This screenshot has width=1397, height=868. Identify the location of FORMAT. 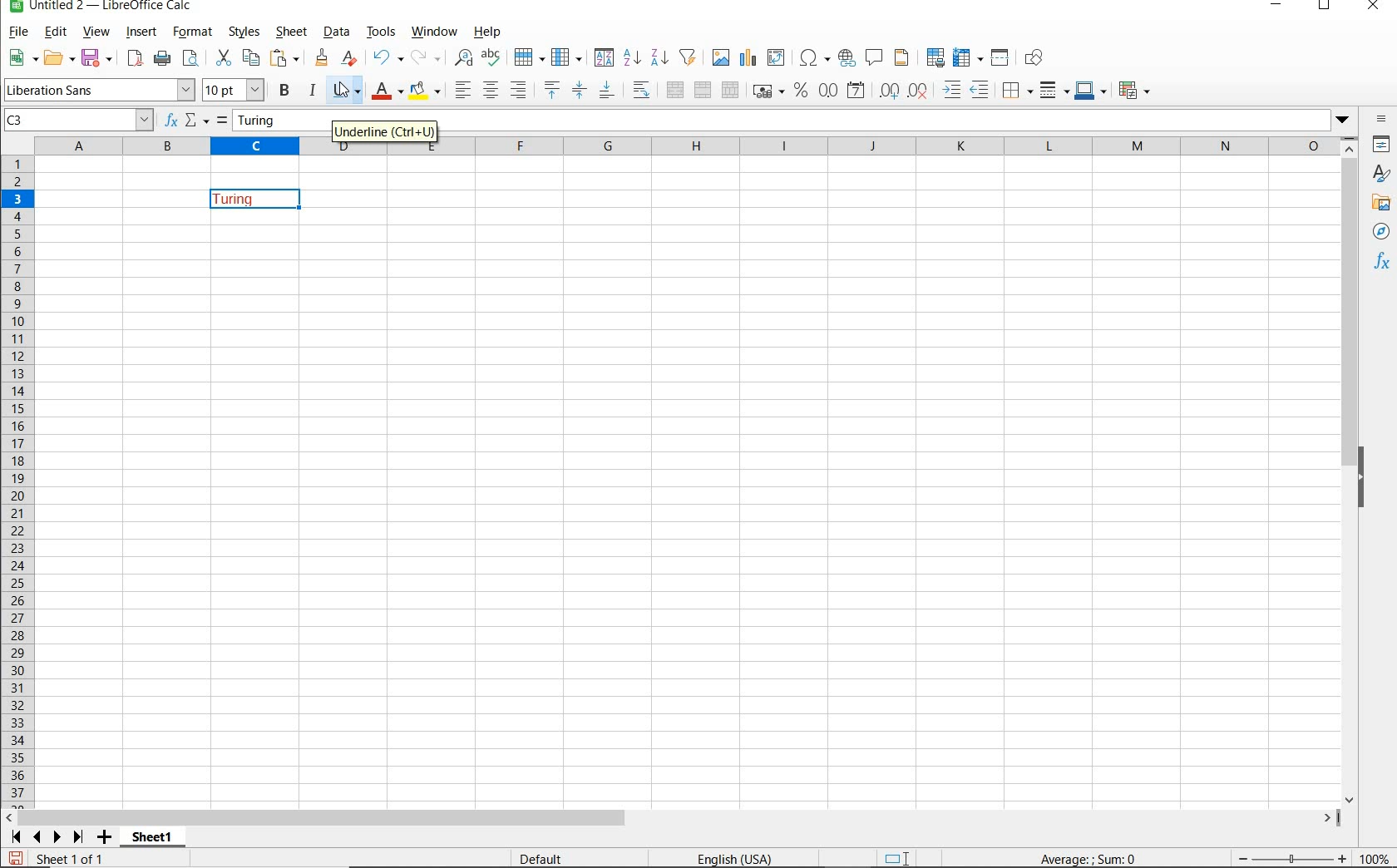
(194, 32).